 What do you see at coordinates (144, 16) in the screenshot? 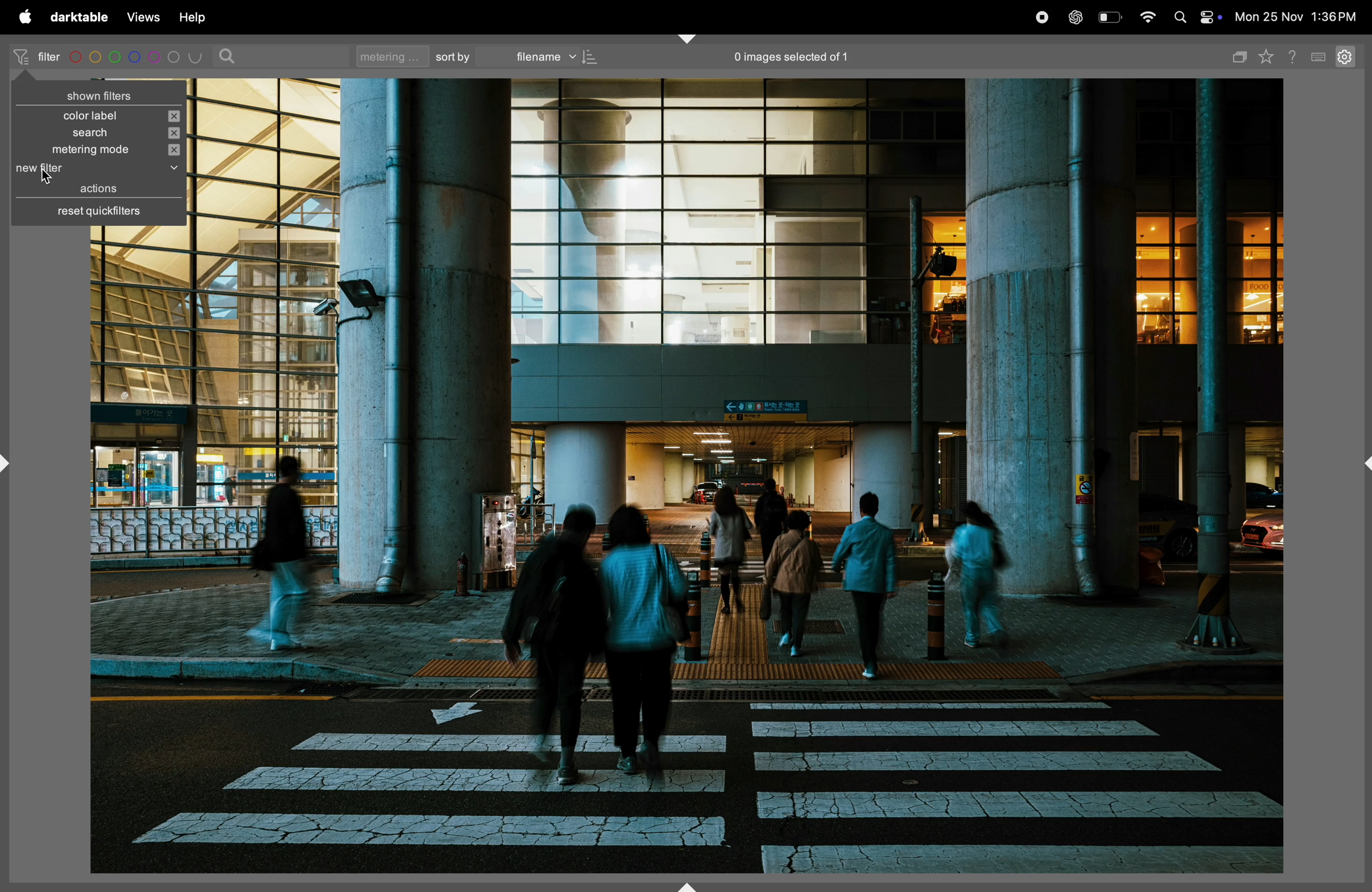
I see `views` at bounding box center [144, 16].